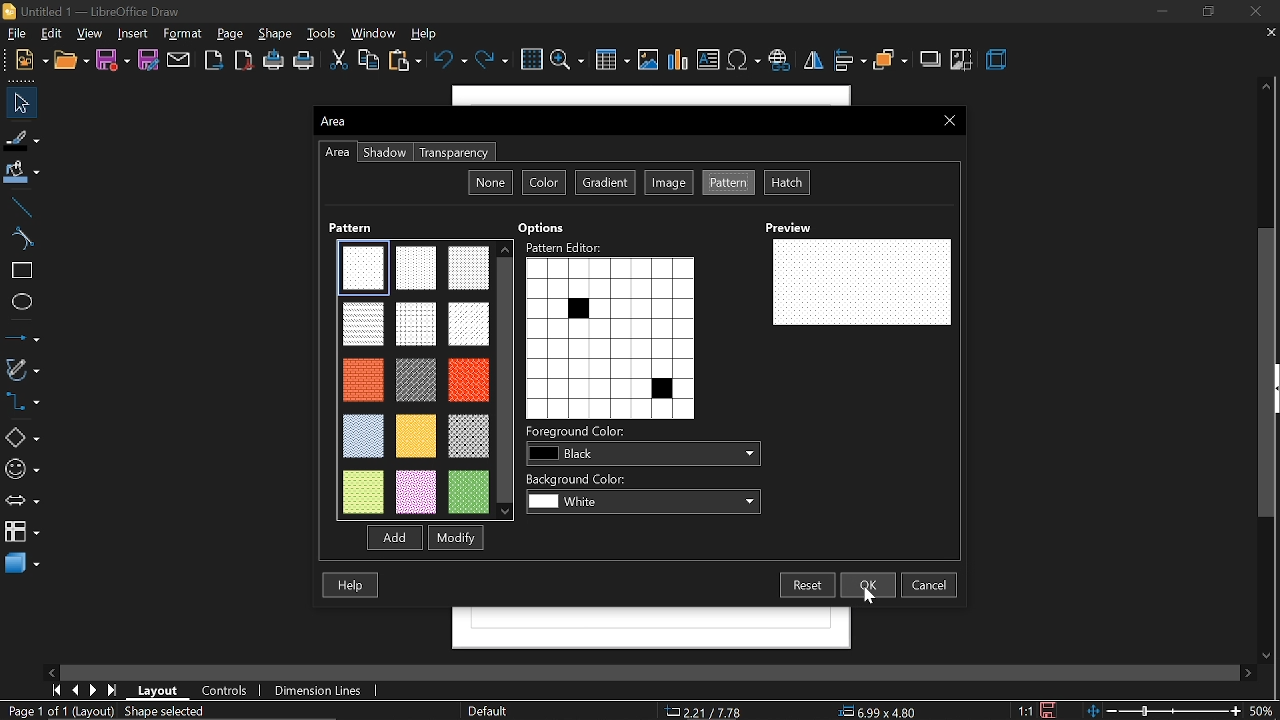 The width and height of the screenshot is (1280, 720). What do you see at coordinates (963, 61) in the screenshot?
I see `crop` at bounding box center [963, 61].